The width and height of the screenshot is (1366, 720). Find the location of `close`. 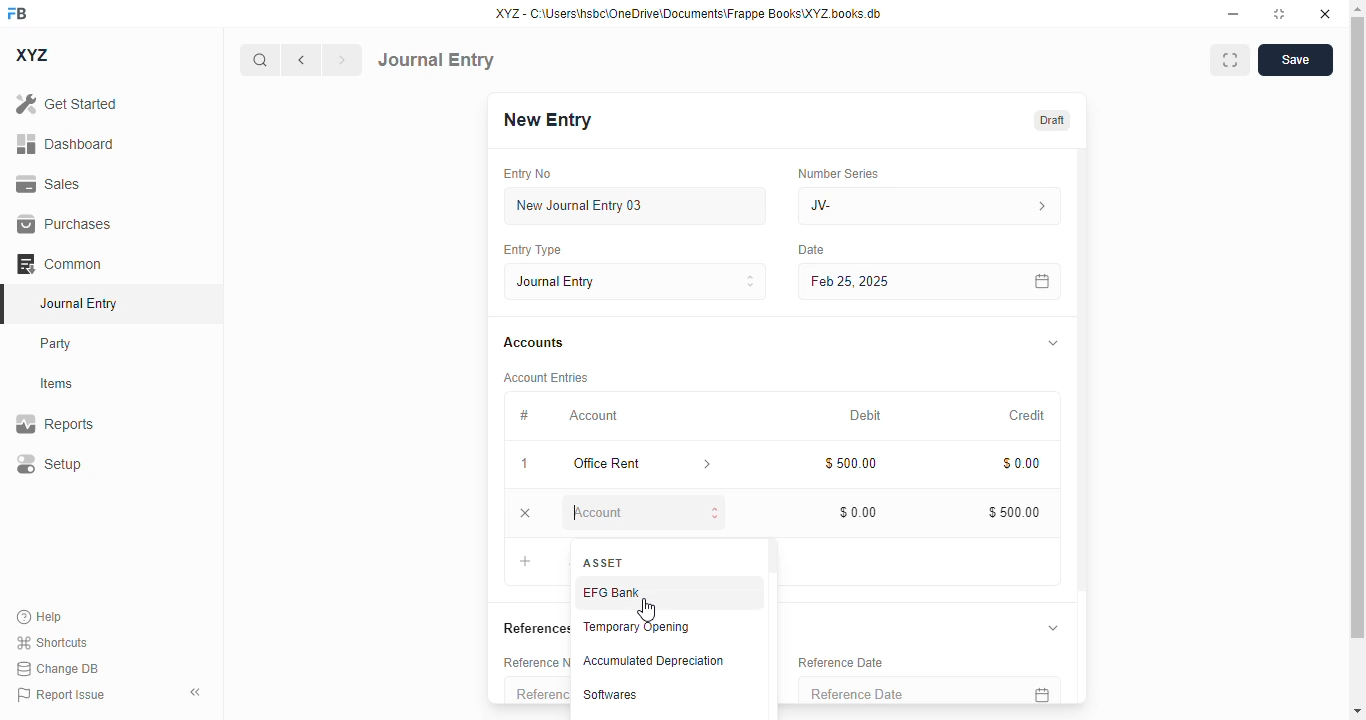

close is located at coordinates (1324, 14).